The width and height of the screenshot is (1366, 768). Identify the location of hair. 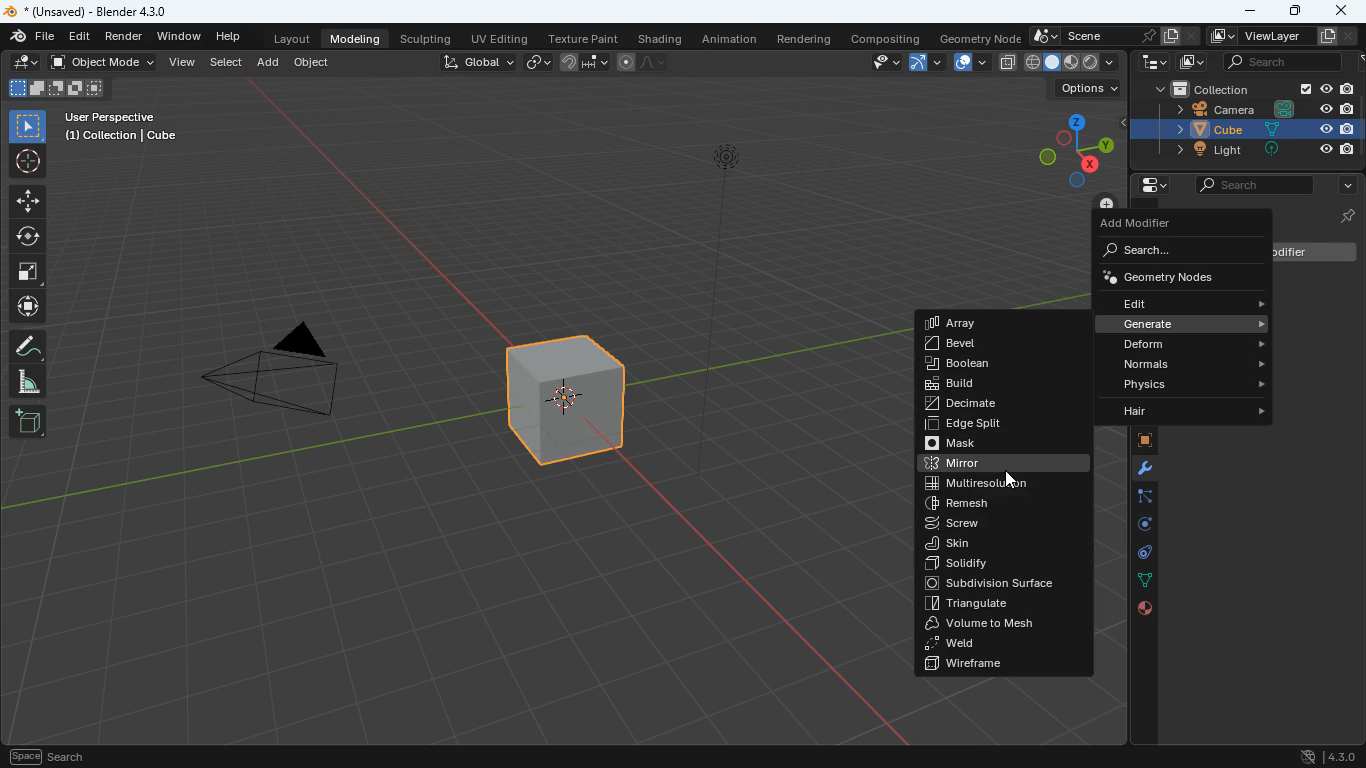
(1186, 413).